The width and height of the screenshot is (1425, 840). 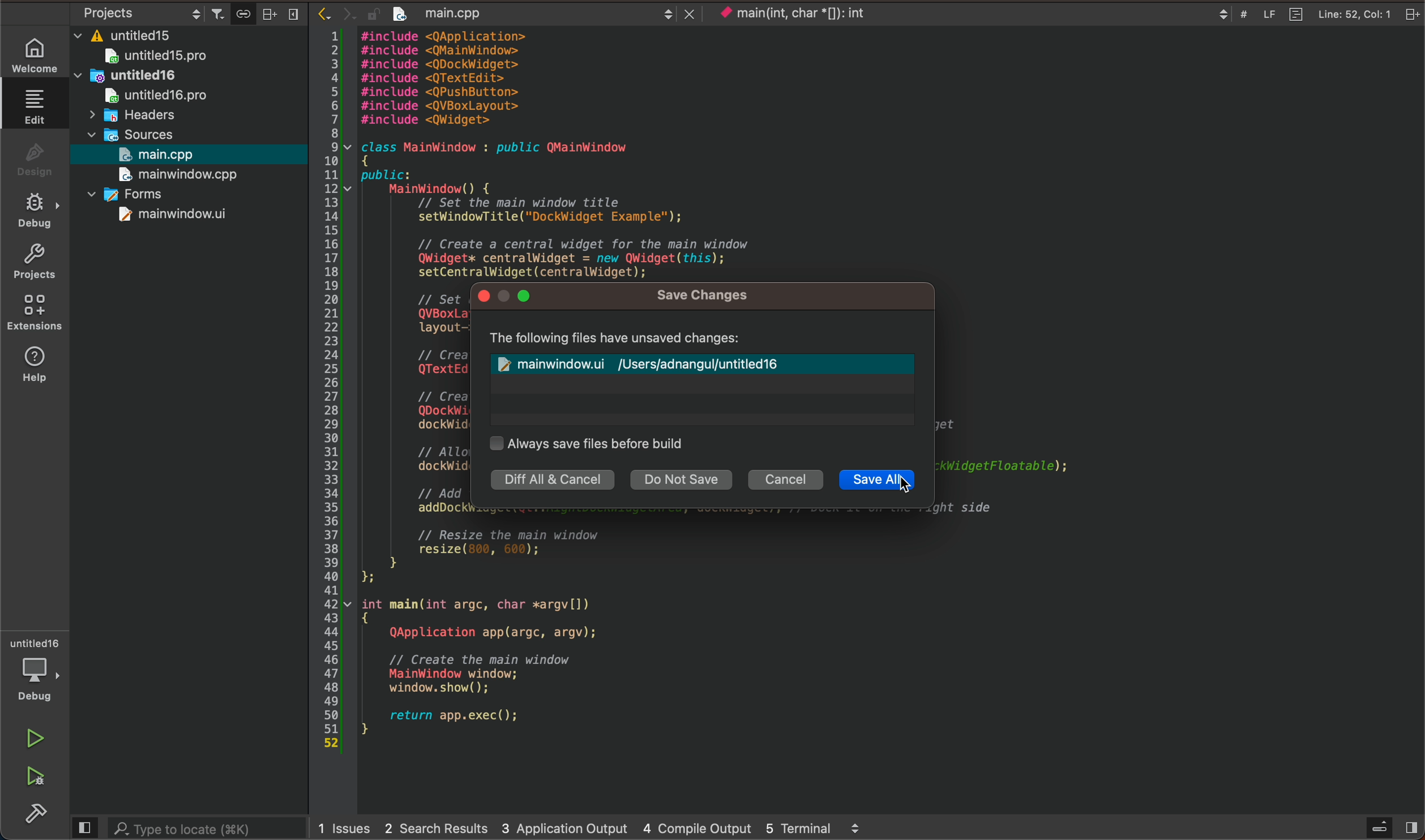 What do you see at coordinates (791, 14) in the screenshot?
I see `current context` at bounding box center [791, 14].